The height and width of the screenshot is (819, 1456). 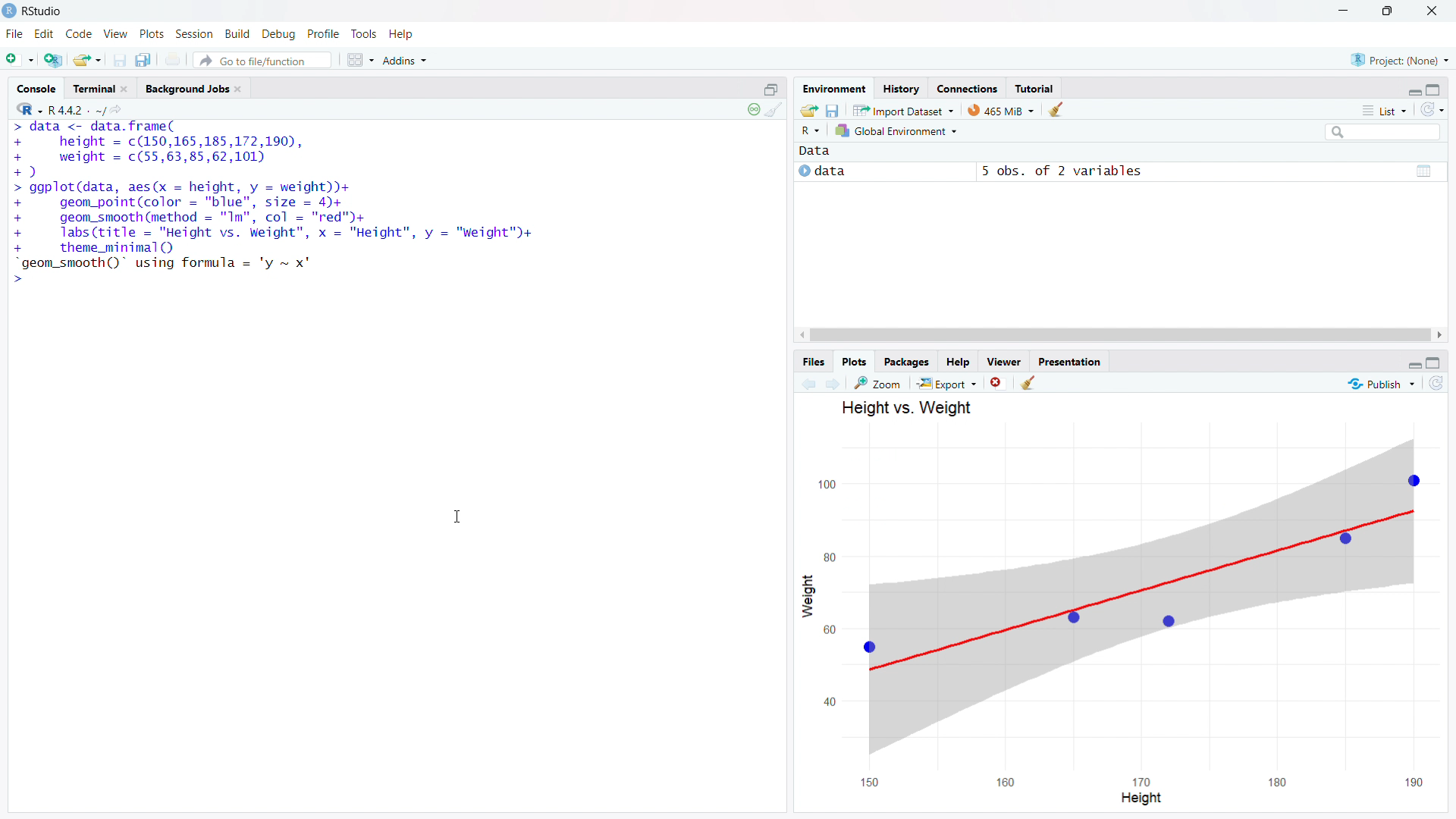 What do you see at coordinates (21, 278) in the screenshot?
I see `>` at bounding box center [21, 278].